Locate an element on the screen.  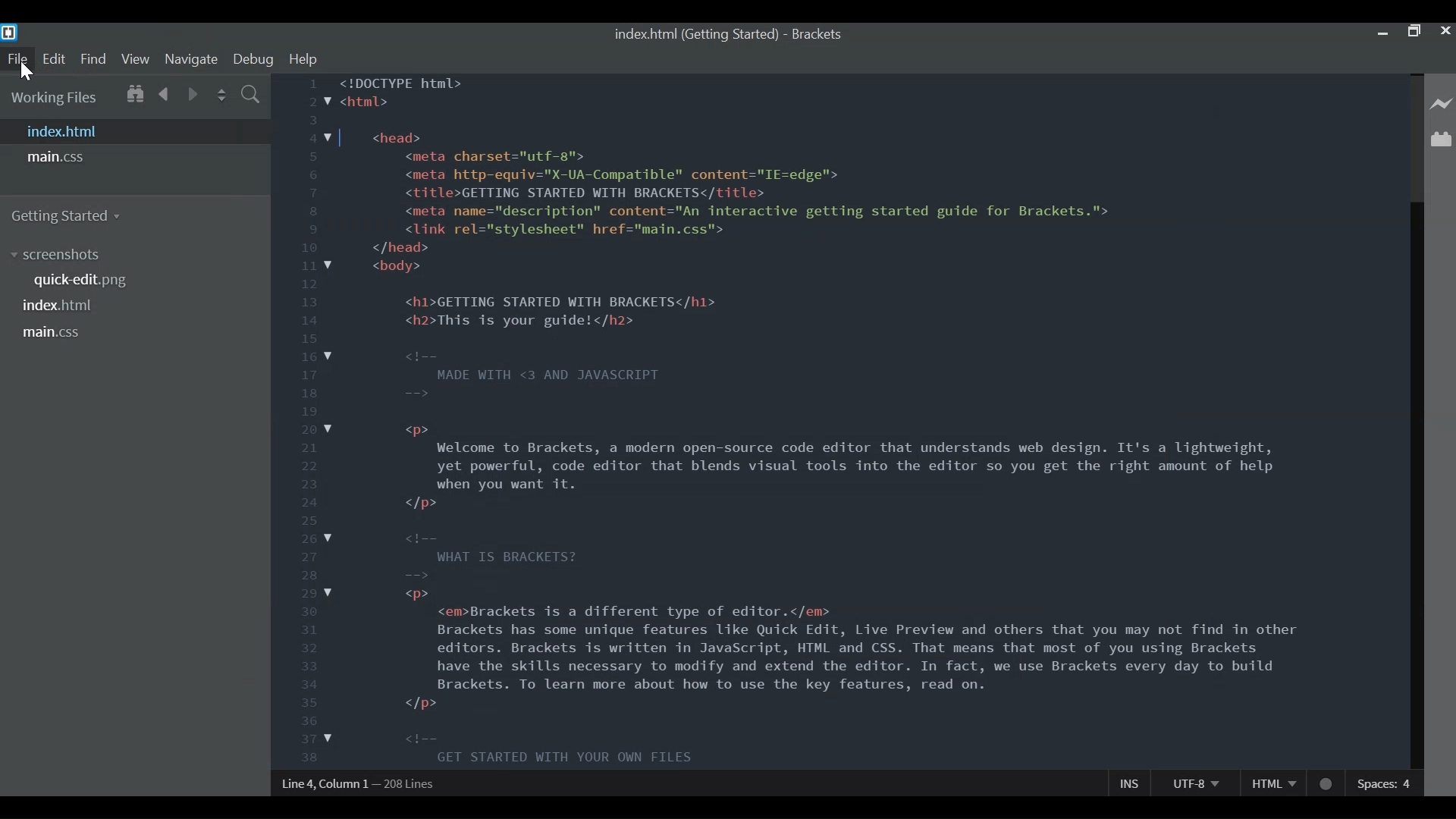
Spaces is located at coordinates (1387, 780).